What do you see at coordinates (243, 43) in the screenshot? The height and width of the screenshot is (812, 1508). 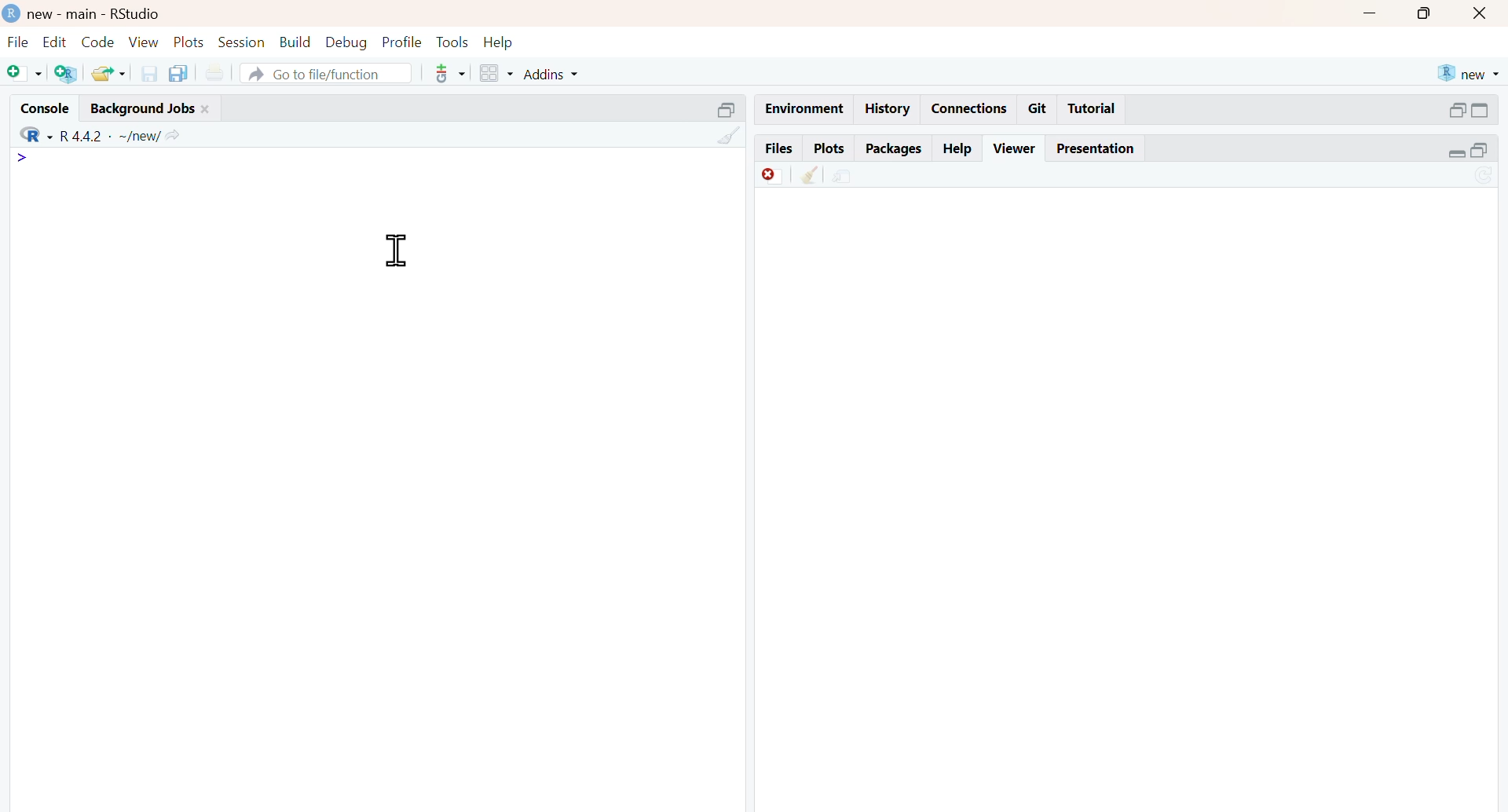 I see `session` at bounding box center [243, 43].